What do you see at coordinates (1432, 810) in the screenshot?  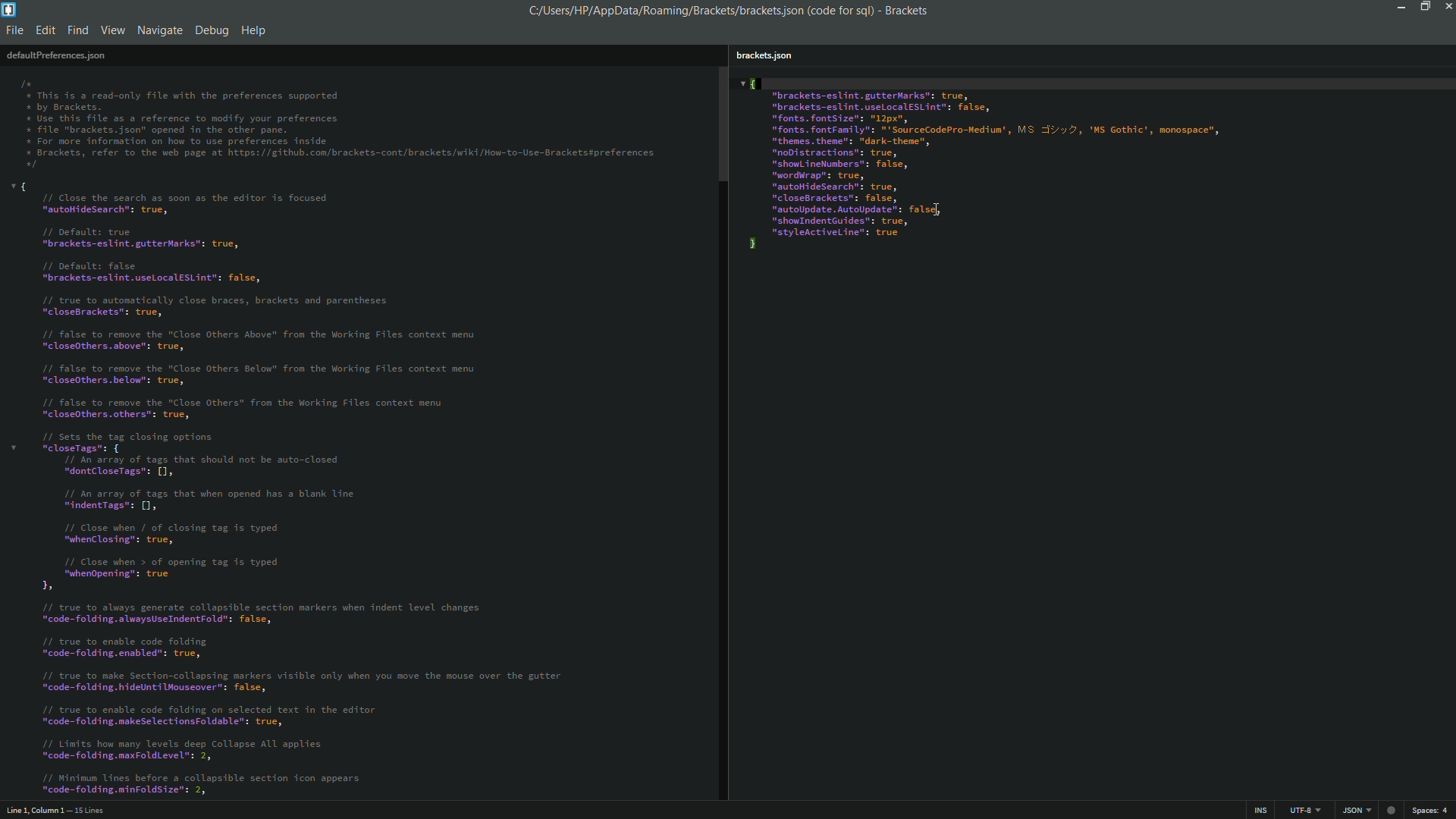 I see `spaces: 4` at bounding box center [1432, 810].